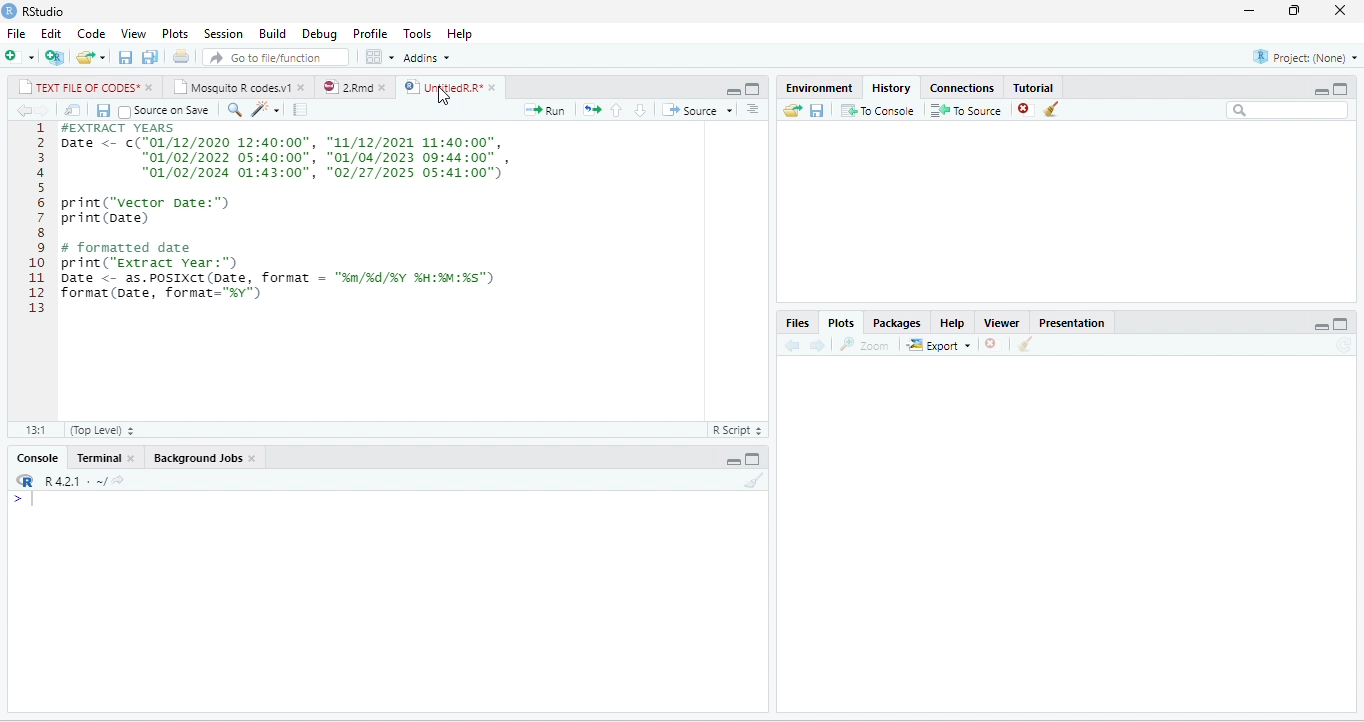 This screenshot has height=722, width=1364. I want to click on Plots, so click(175, 34).